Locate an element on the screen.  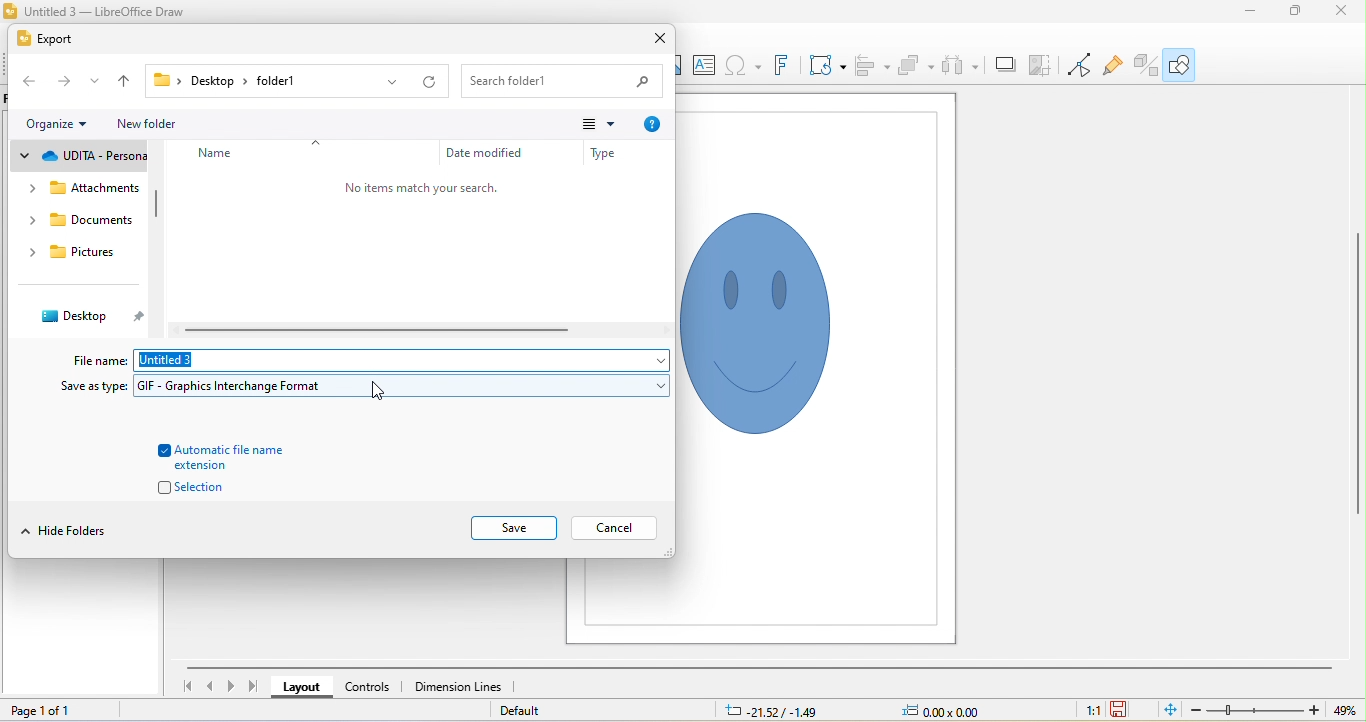
file name: untitled3 is located at coordinates (198, 360).